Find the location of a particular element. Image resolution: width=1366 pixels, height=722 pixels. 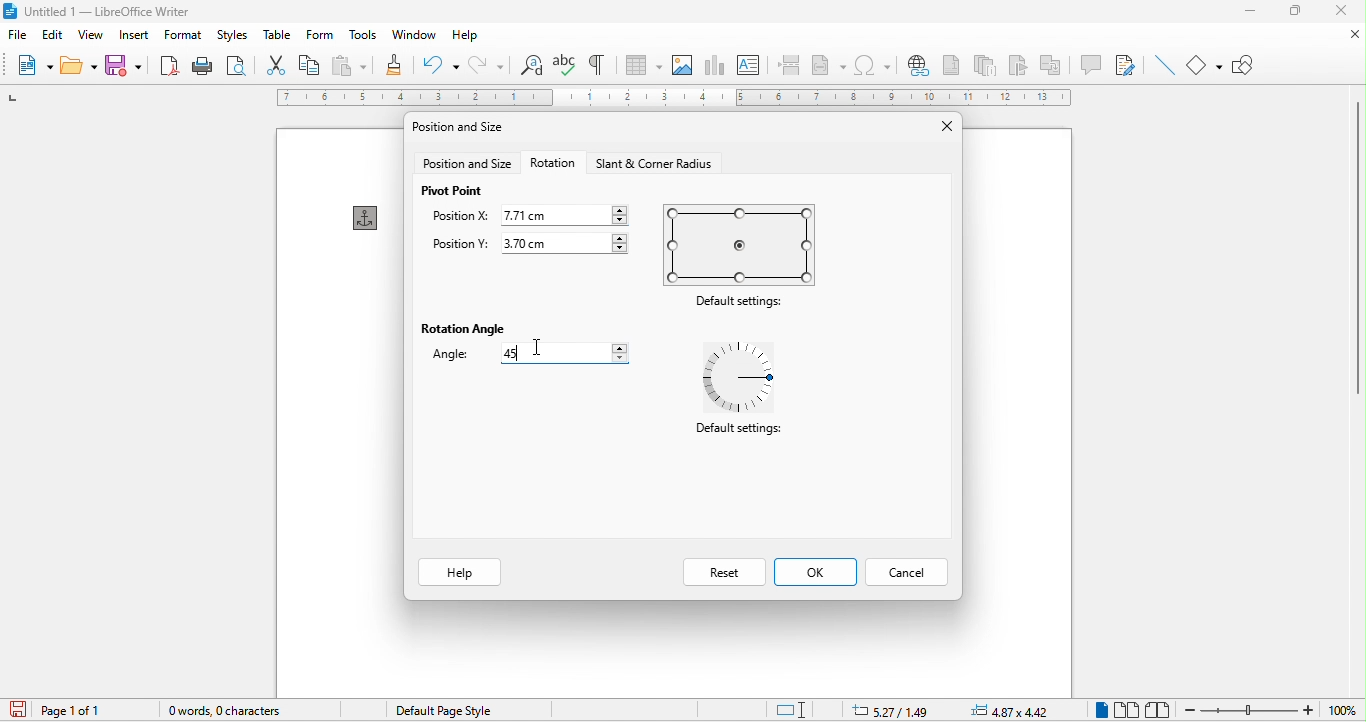

print preview is located at coordinates (236, 67).